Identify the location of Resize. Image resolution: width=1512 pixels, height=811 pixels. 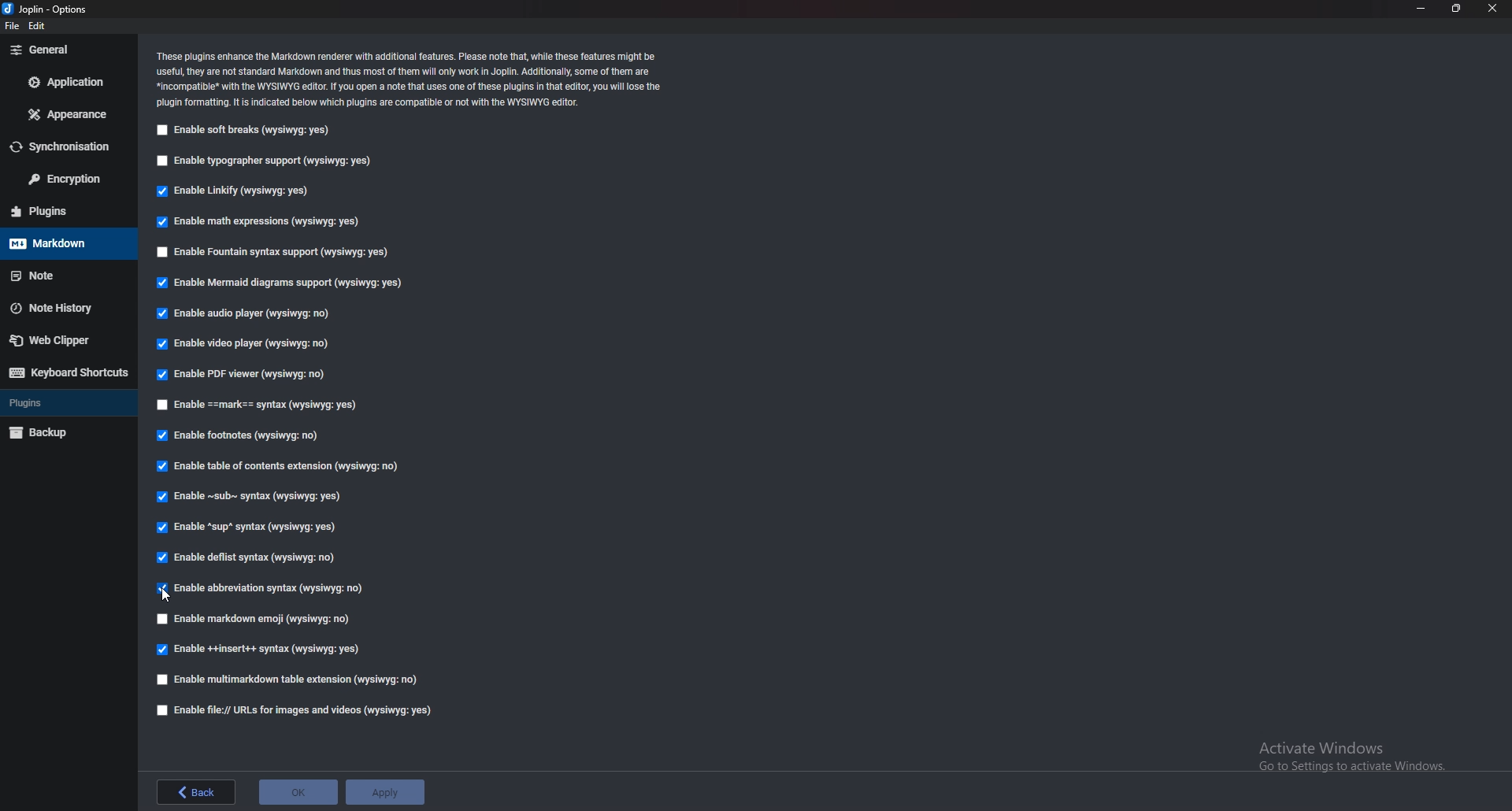
(1457, 8).